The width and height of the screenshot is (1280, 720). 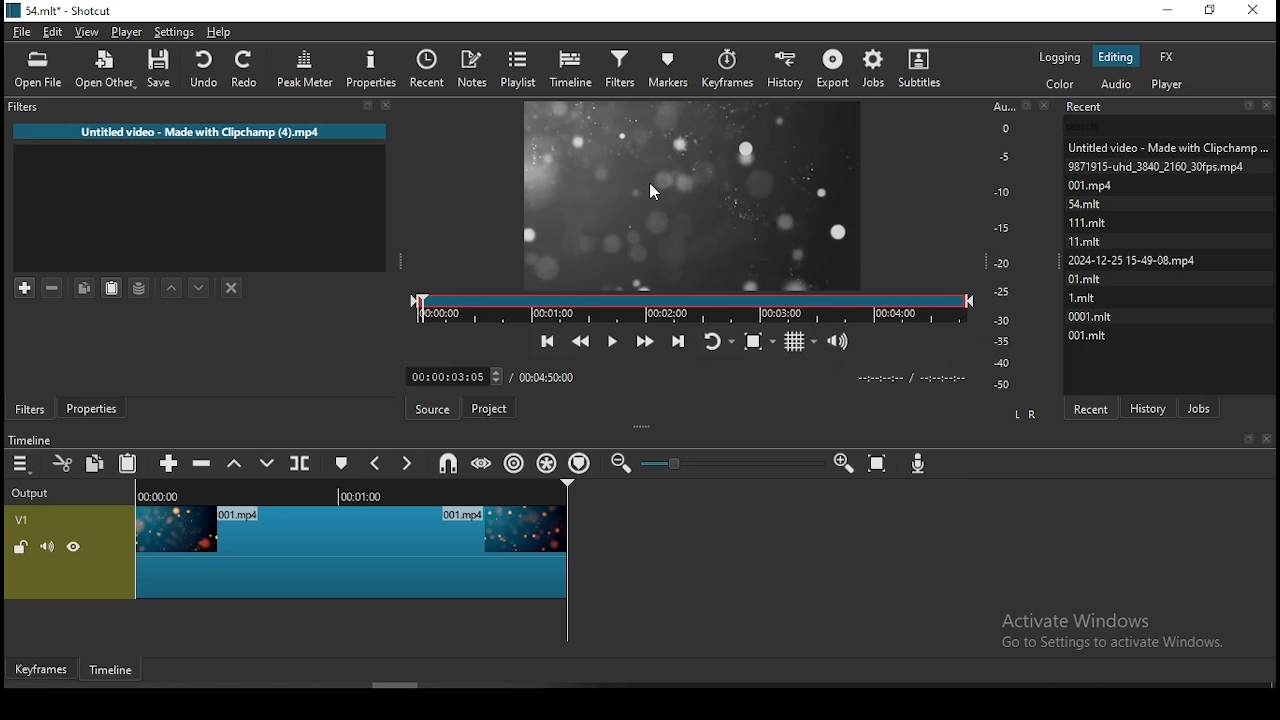 I want to click on editing, so click(x=1116, y=58).